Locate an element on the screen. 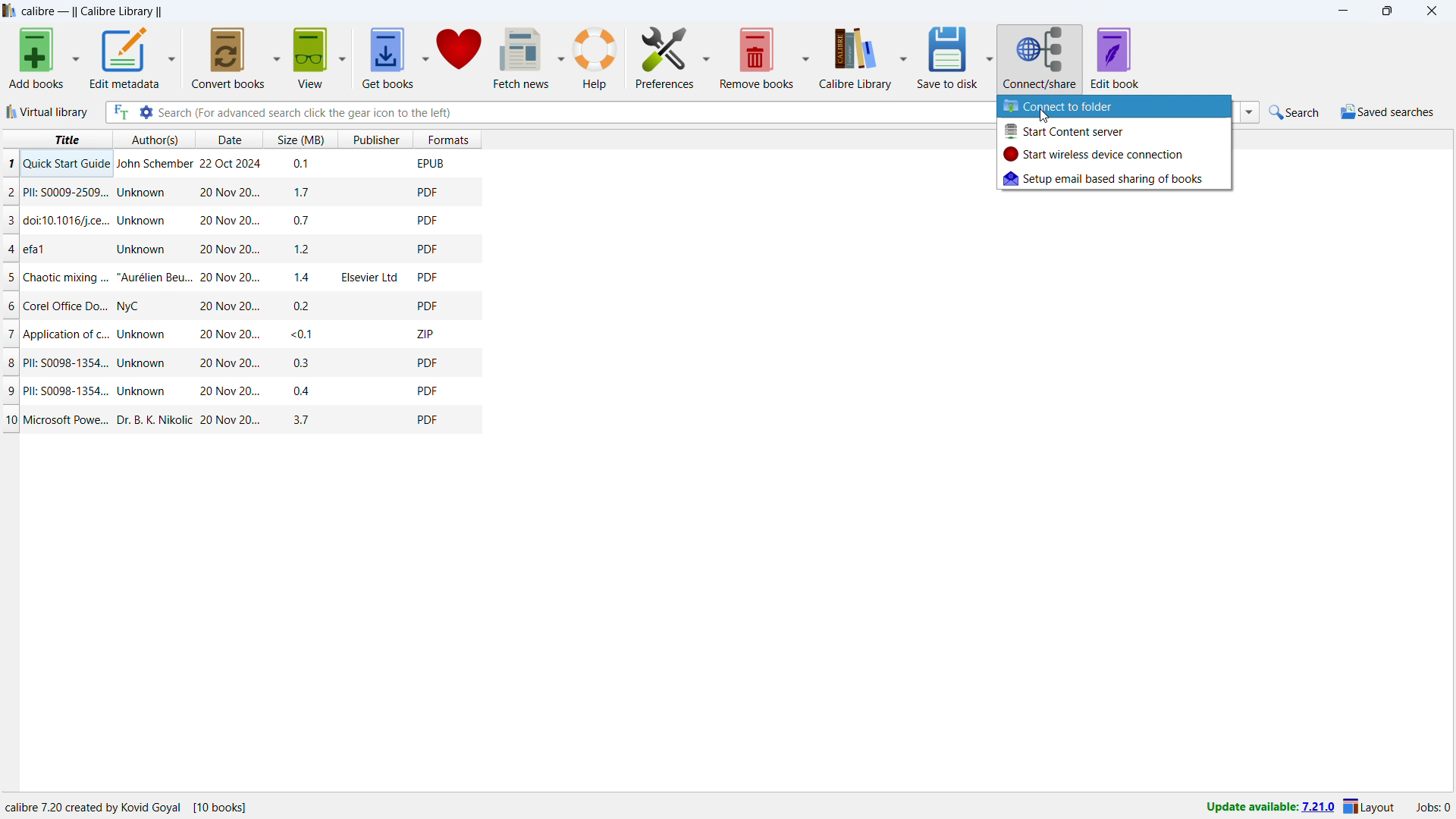 This screenshot has width=1456, height=819. cursor is located at coordinates (1041, 120).